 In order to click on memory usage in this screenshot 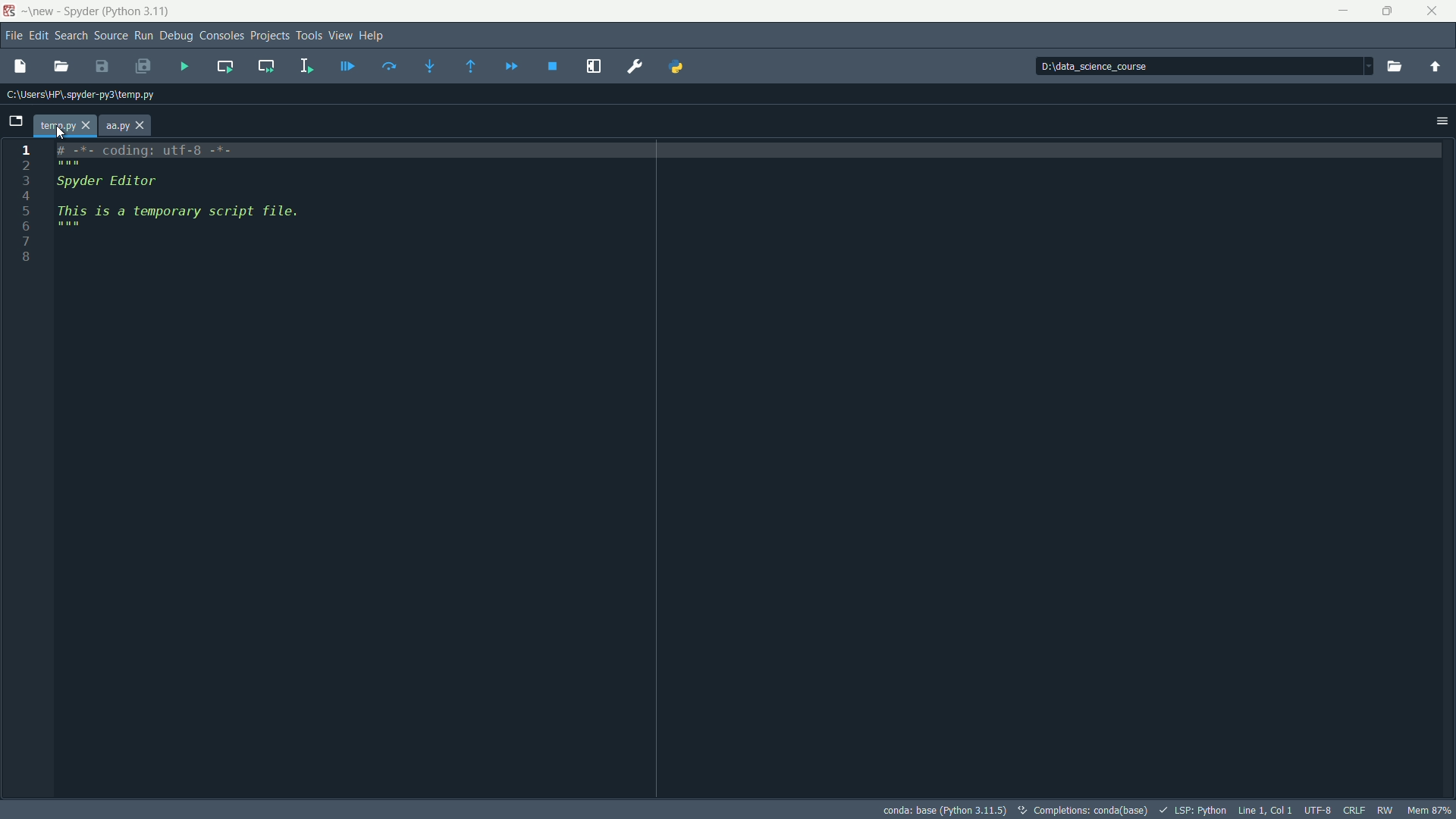, I will do `click(1429, 810)`.